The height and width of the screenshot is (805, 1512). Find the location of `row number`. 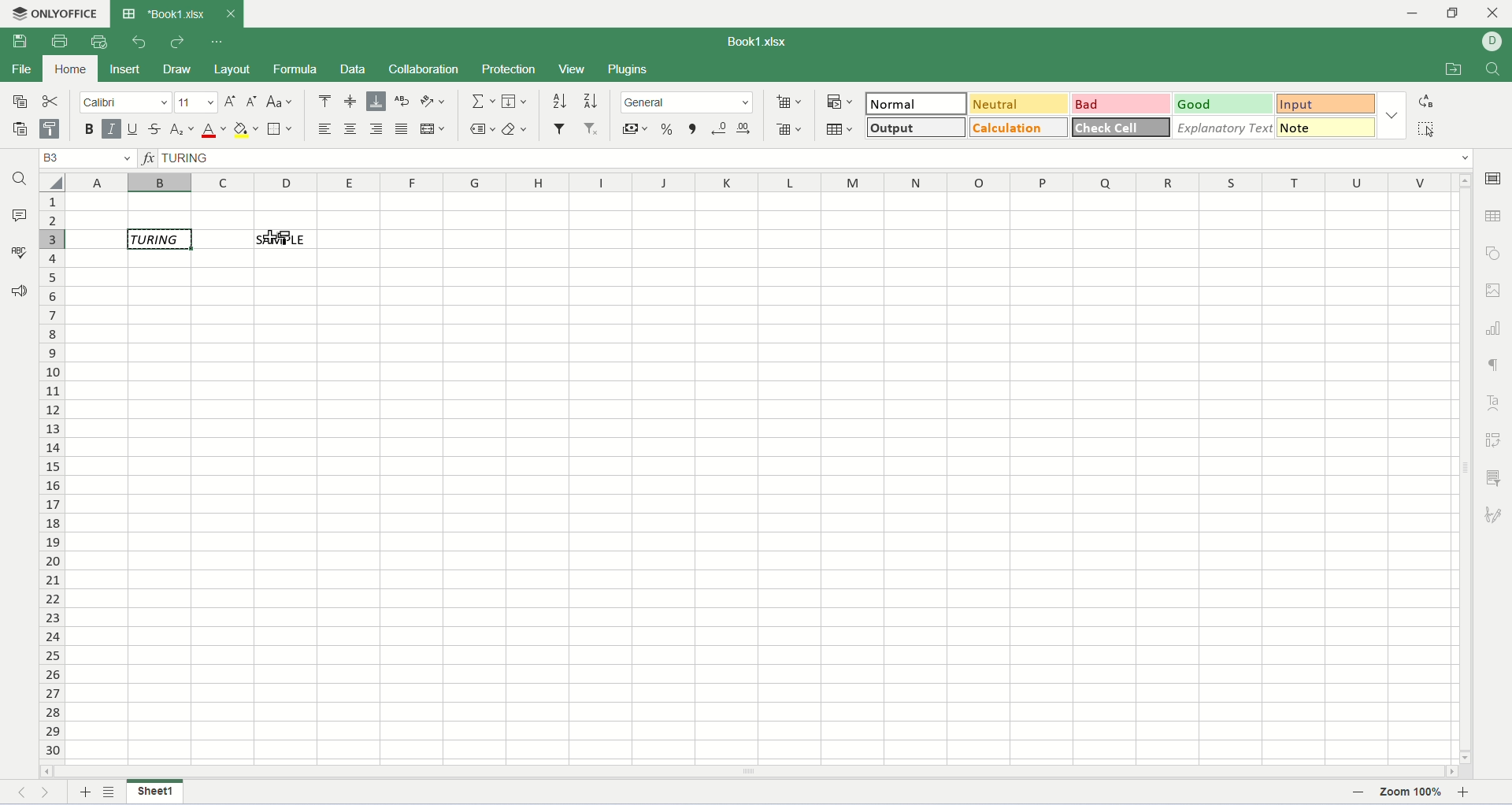

row number is located at coordinates (53, 478).